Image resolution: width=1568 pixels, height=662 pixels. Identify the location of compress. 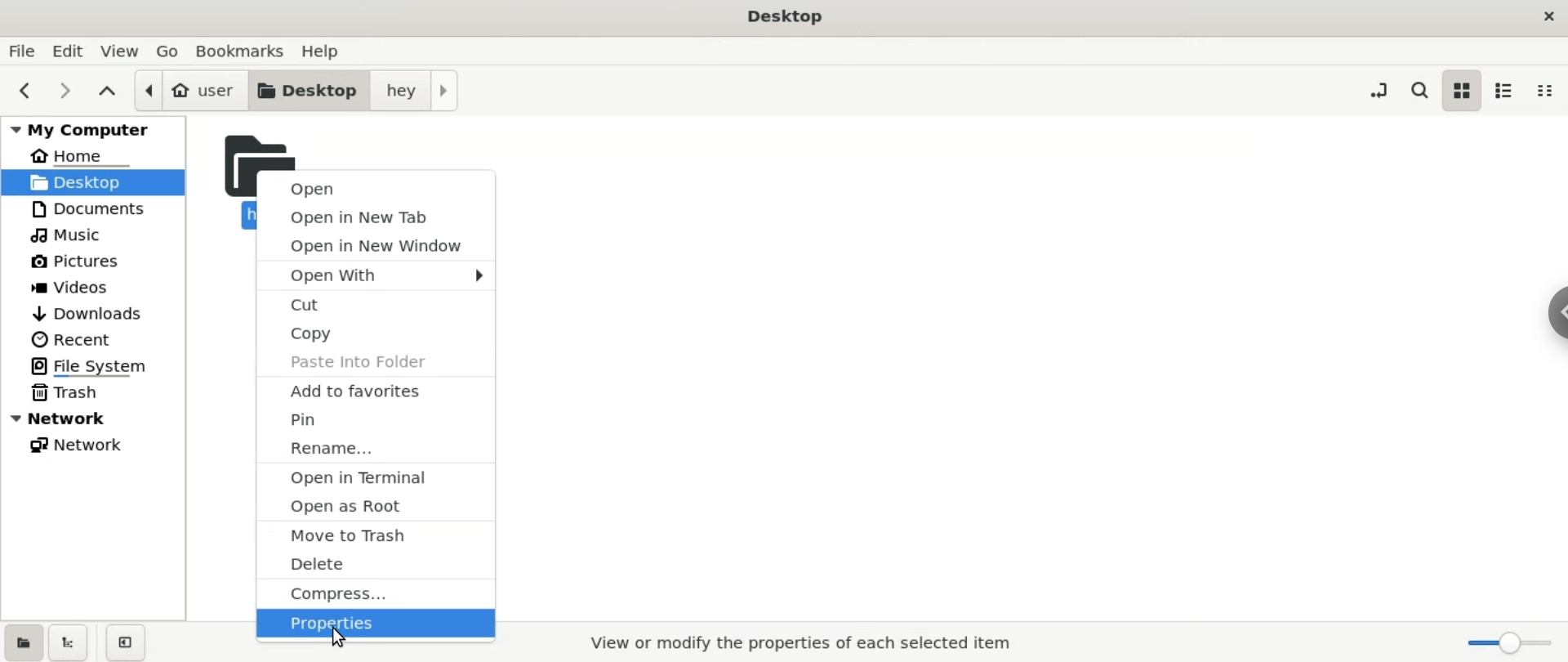
(373, 596).